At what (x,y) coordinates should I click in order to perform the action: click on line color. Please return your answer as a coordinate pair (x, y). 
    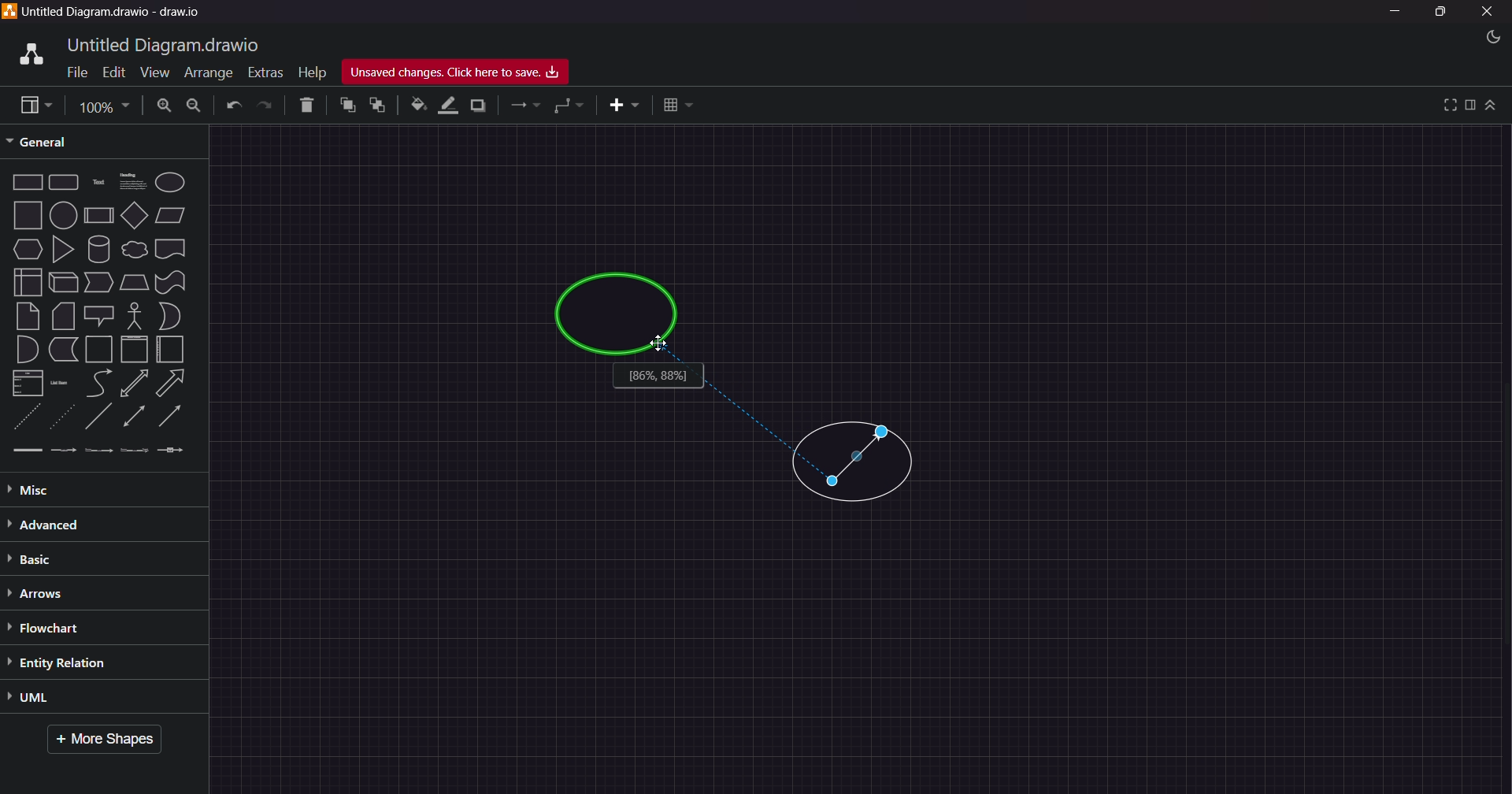
    Looking at the image, I should click on (448, 105).